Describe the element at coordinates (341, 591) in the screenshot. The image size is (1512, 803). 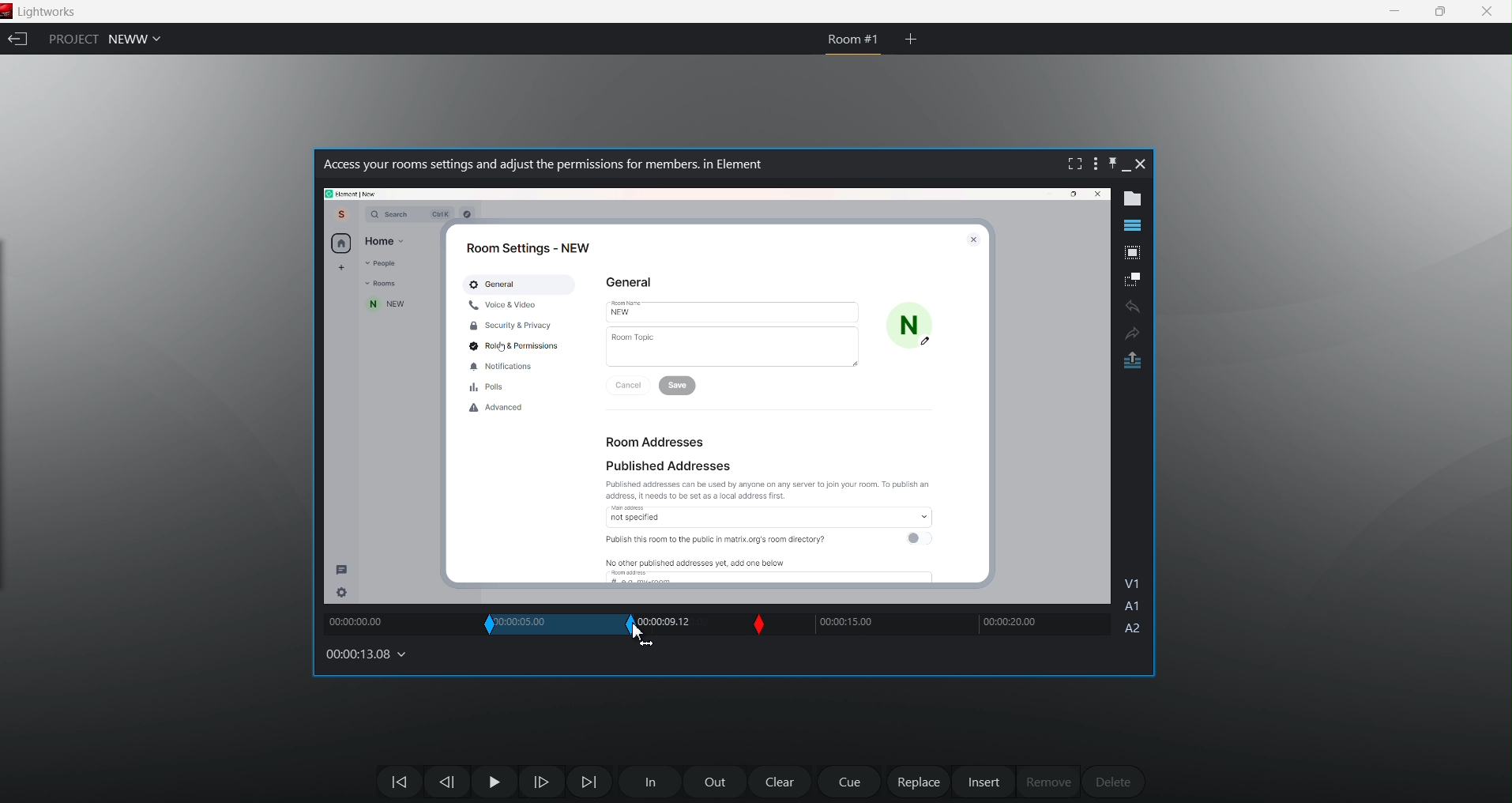
I see `setting` at that location.